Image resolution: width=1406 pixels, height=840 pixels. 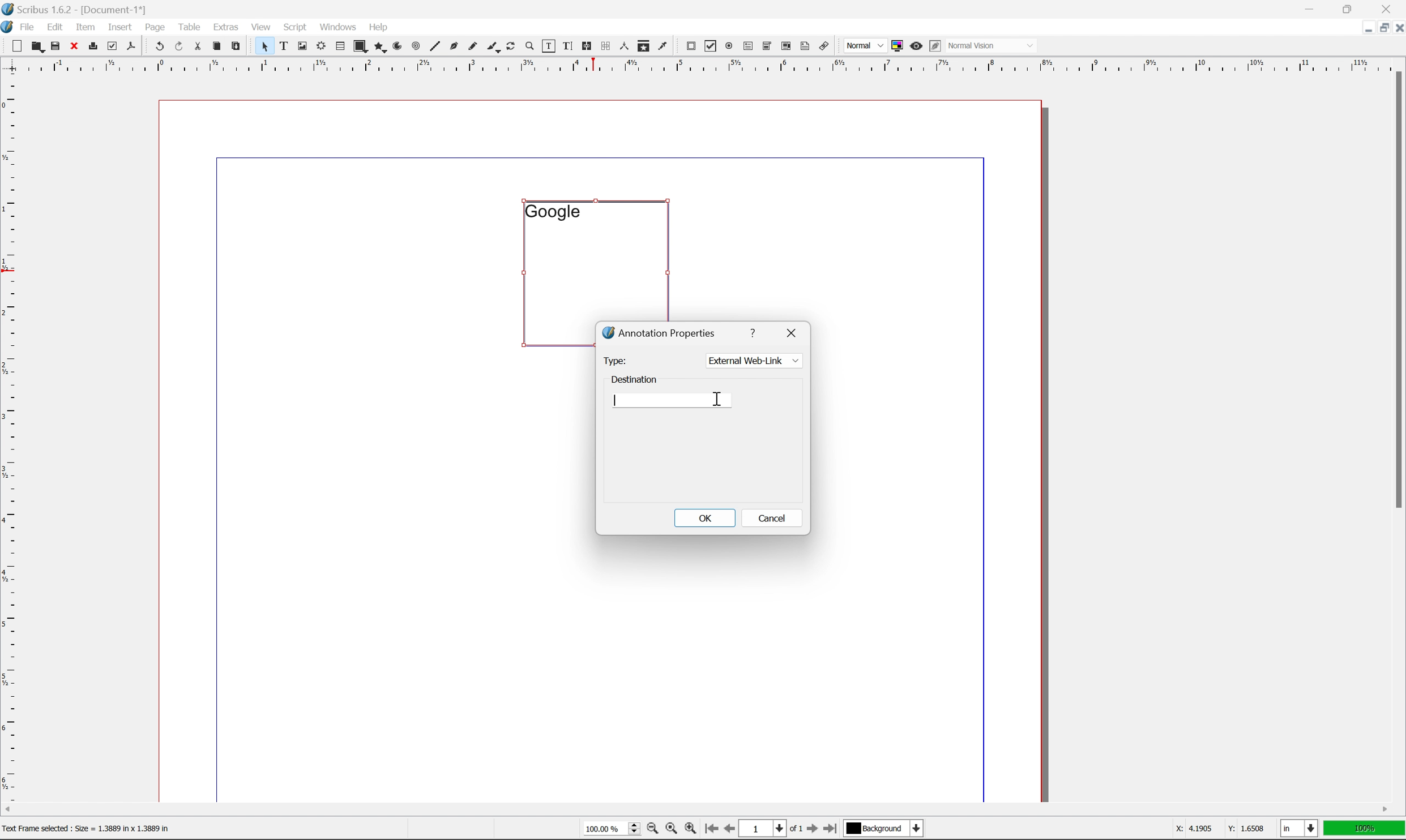 What do you see at coordinates (914, 45) in the screenshot?
I see `preview mode` at bounding box center [914, 45].